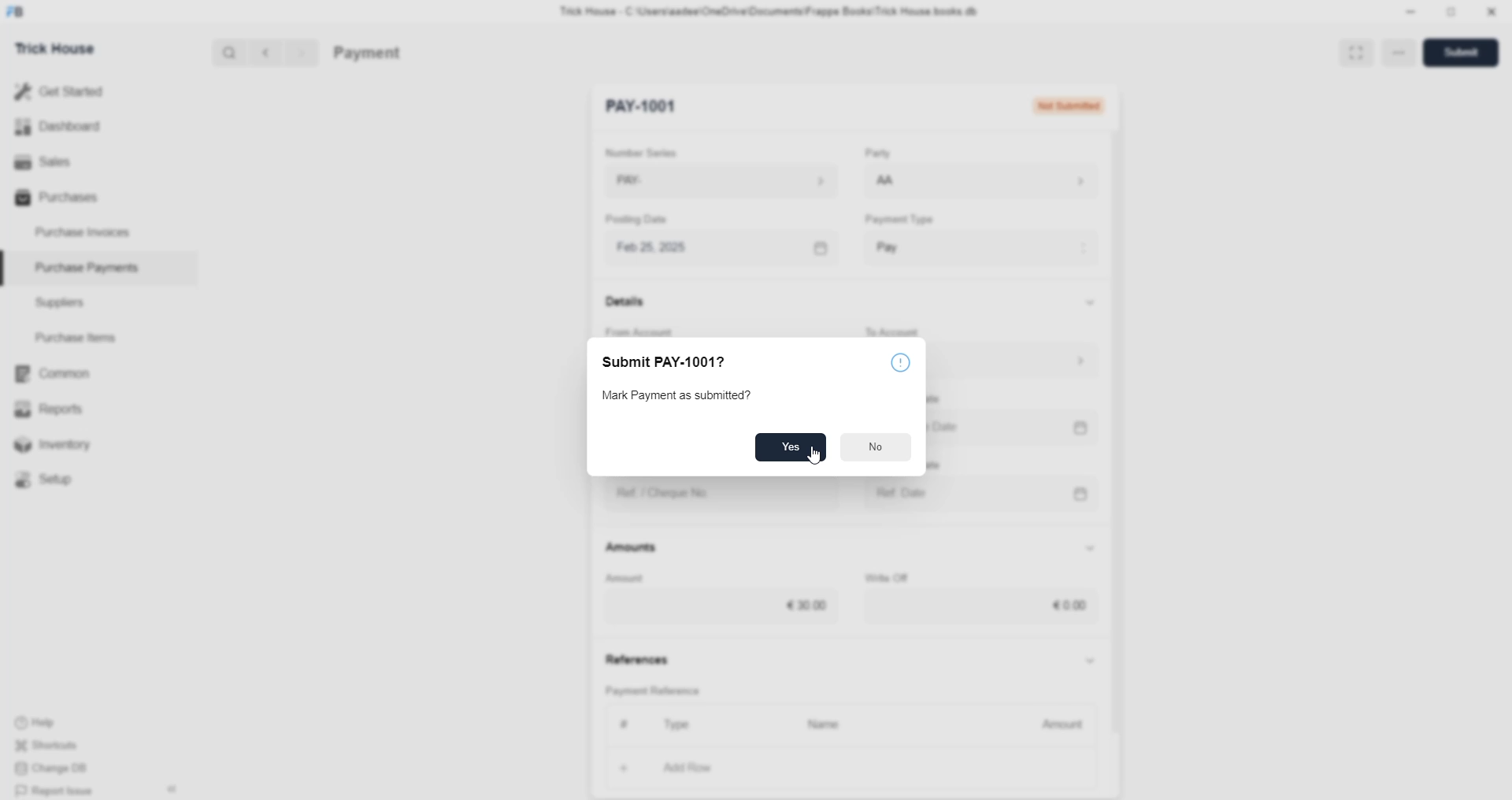 The height and width of the screenshot is (800, 1512). I want to click on Purchase PaymenTS, so click(83, 268).